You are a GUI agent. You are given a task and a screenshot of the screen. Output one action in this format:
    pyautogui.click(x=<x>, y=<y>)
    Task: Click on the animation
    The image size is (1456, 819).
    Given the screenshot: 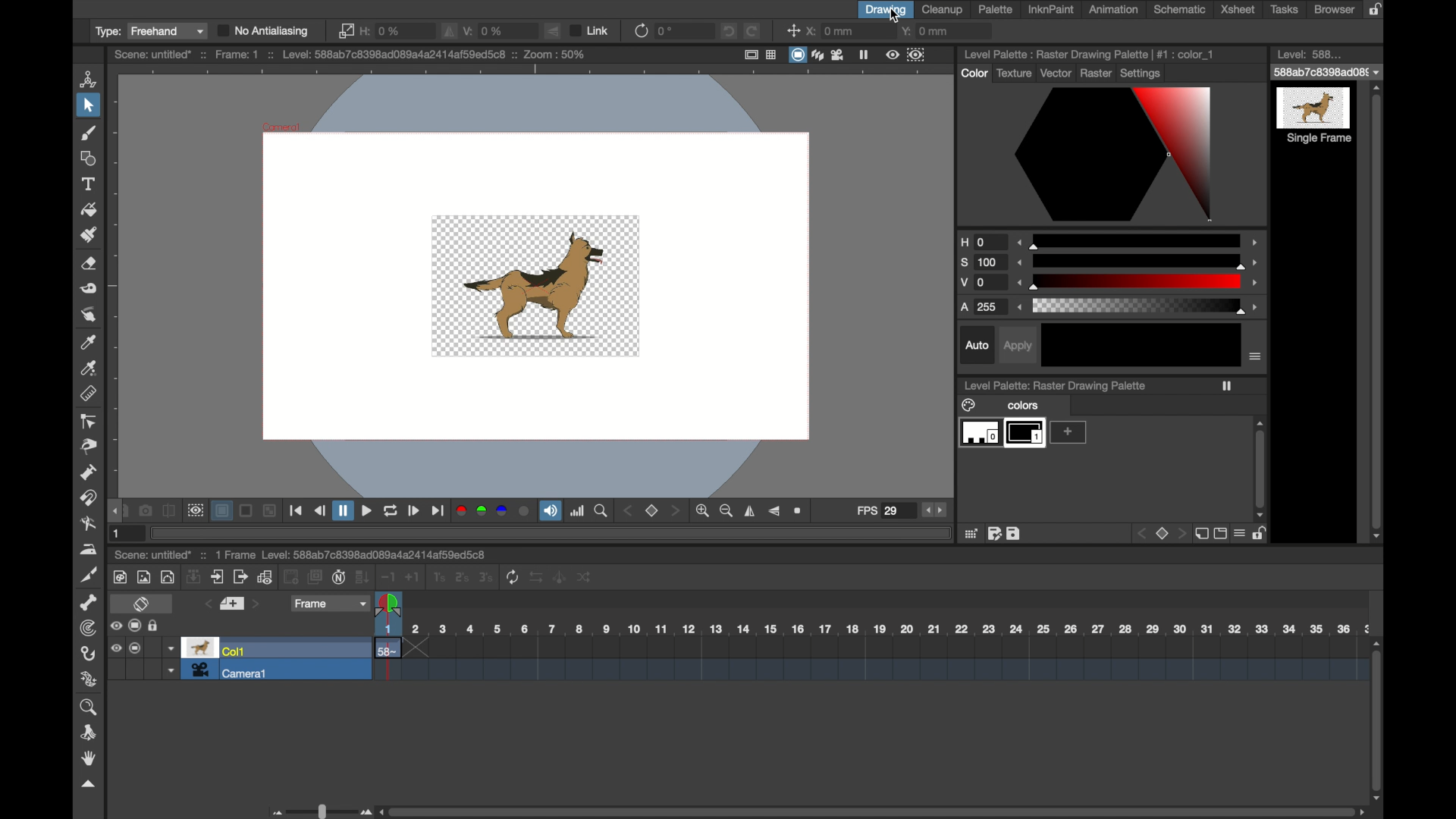 What is the action you would take?
    pyautogui.click(x=1115, y=9)
    